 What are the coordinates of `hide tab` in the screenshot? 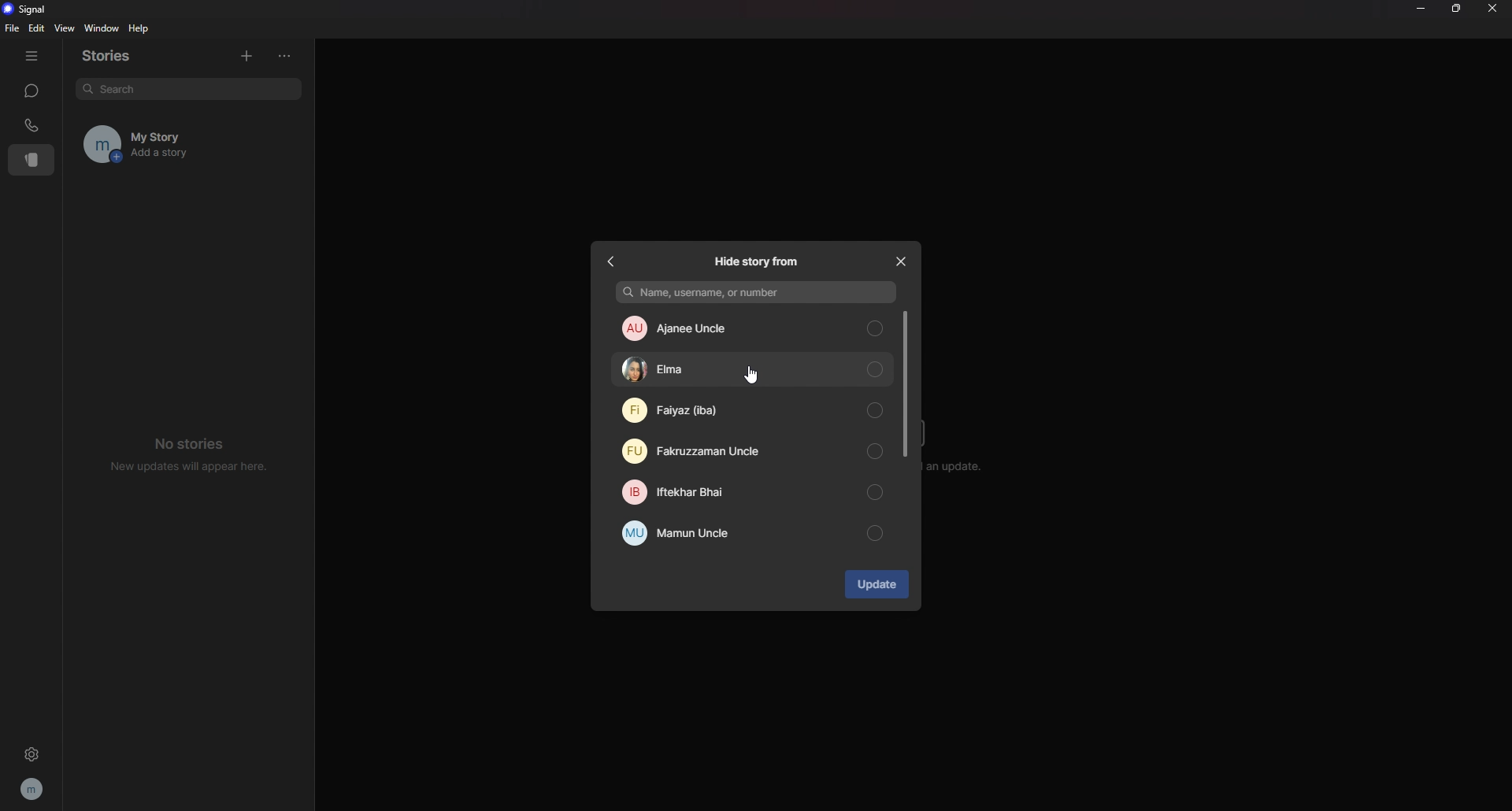 It's located at (31, 56).